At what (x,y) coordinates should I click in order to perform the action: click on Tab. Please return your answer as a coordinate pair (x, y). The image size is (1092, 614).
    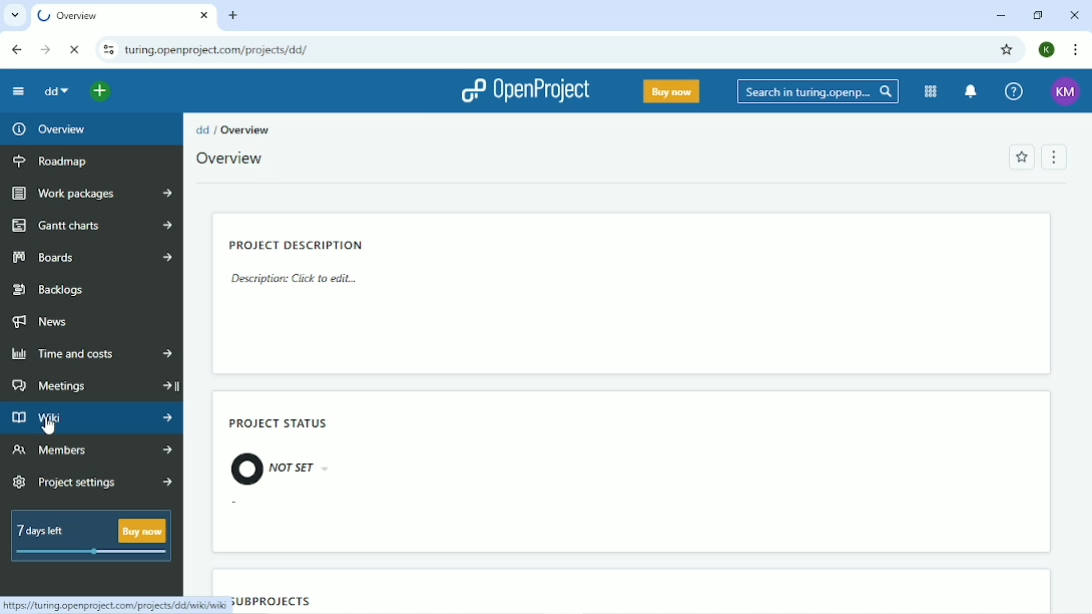
    Looking at the image, I should click on (221, 49).